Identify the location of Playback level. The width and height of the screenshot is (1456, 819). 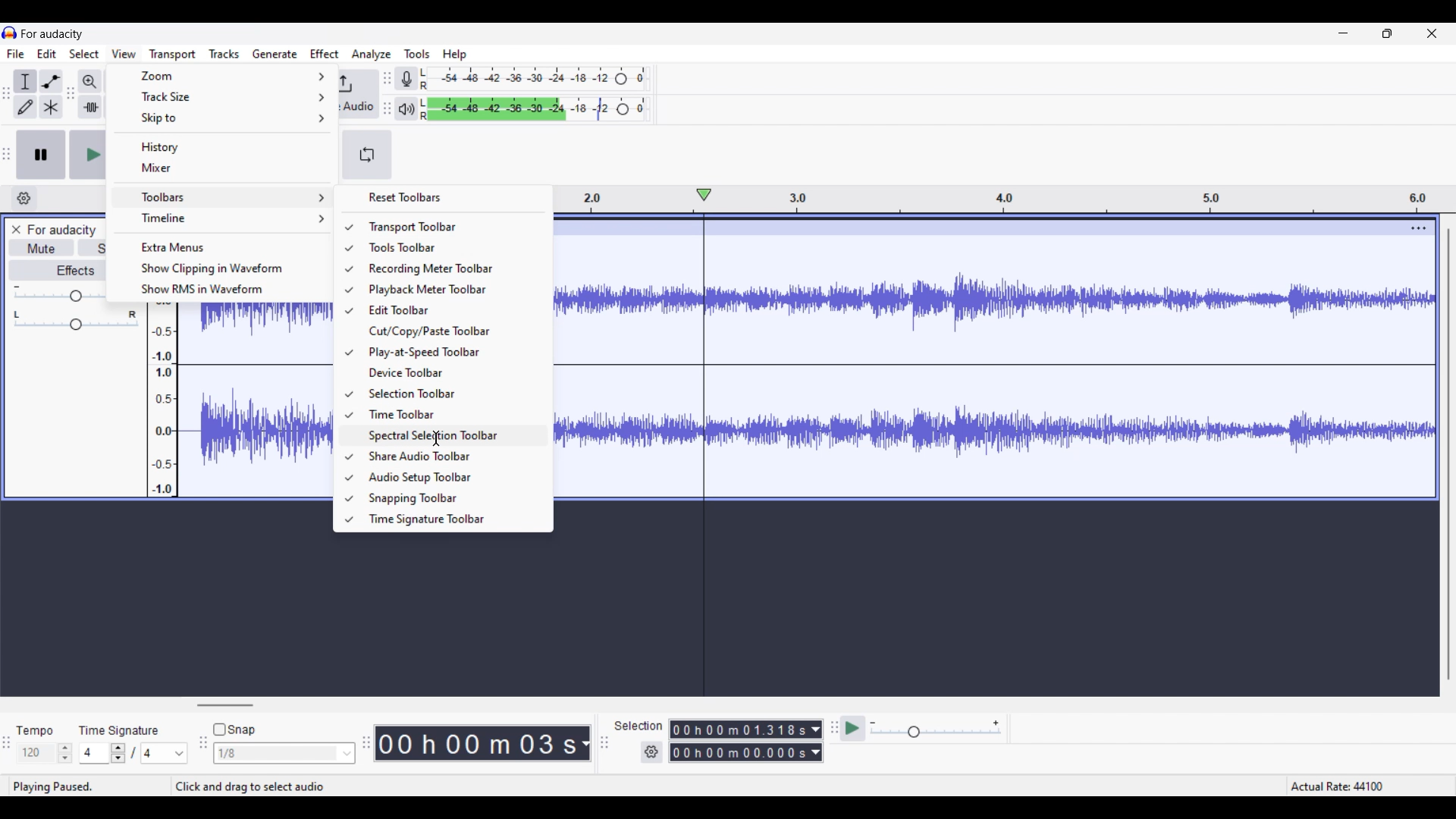
(532, 109).